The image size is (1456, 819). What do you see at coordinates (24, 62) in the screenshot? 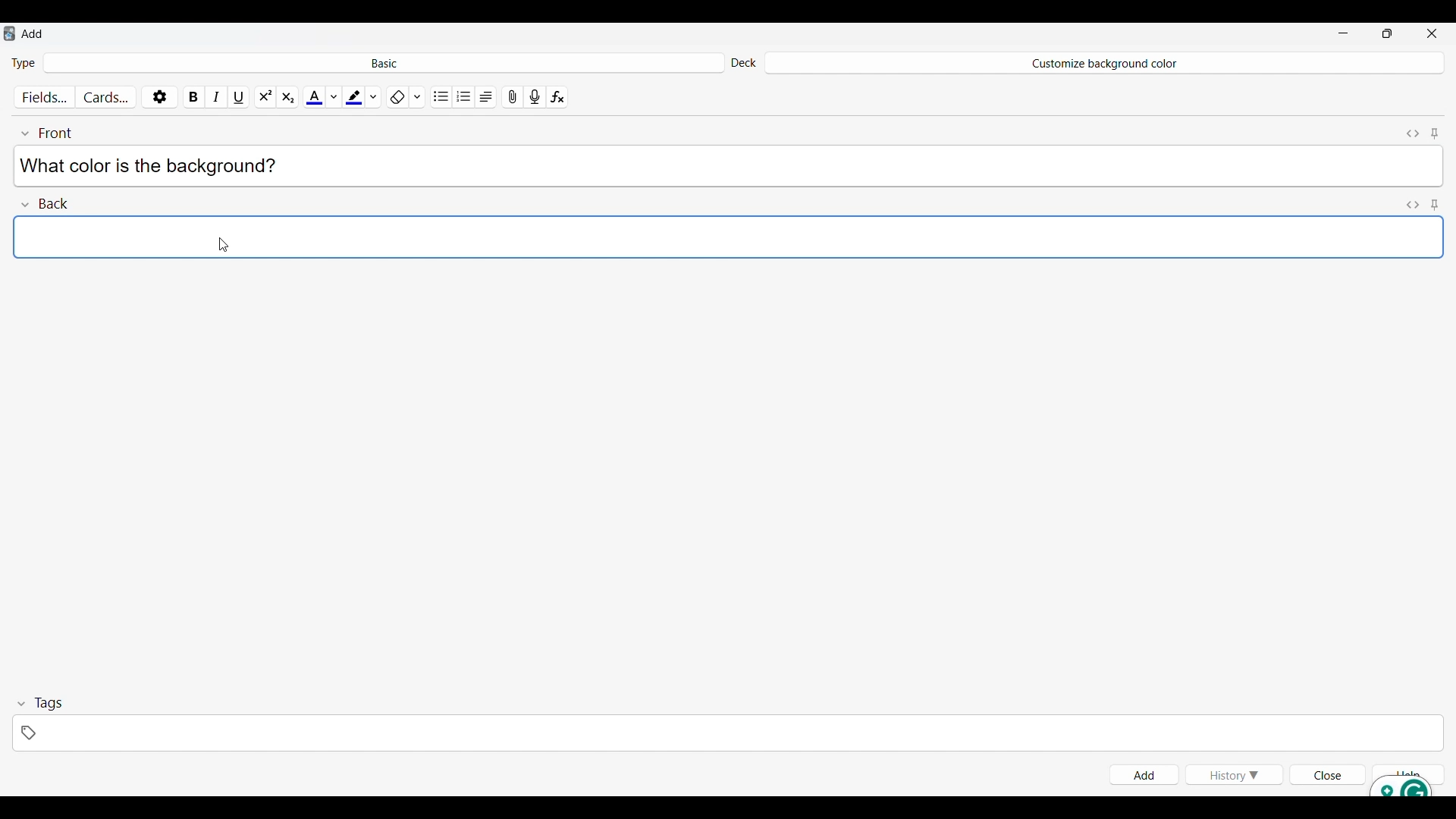
I see `Indicates Type of card` at bounding box center [24, 62].